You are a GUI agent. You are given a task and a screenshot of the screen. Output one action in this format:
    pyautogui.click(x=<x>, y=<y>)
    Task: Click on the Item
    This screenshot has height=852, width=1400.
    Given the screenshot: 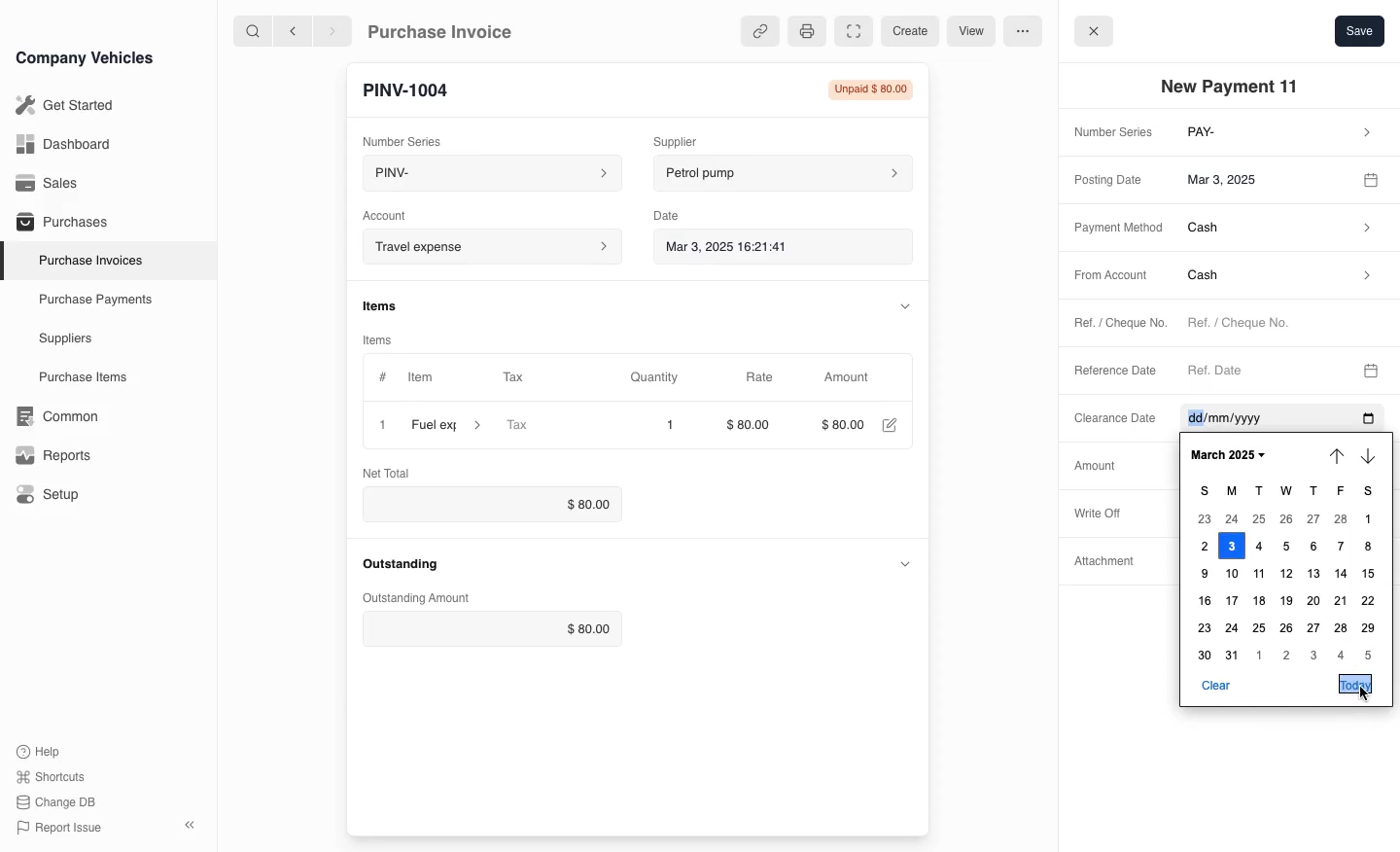 What is the action you would take?
    pyautogui.click(x=407, y=378)
    